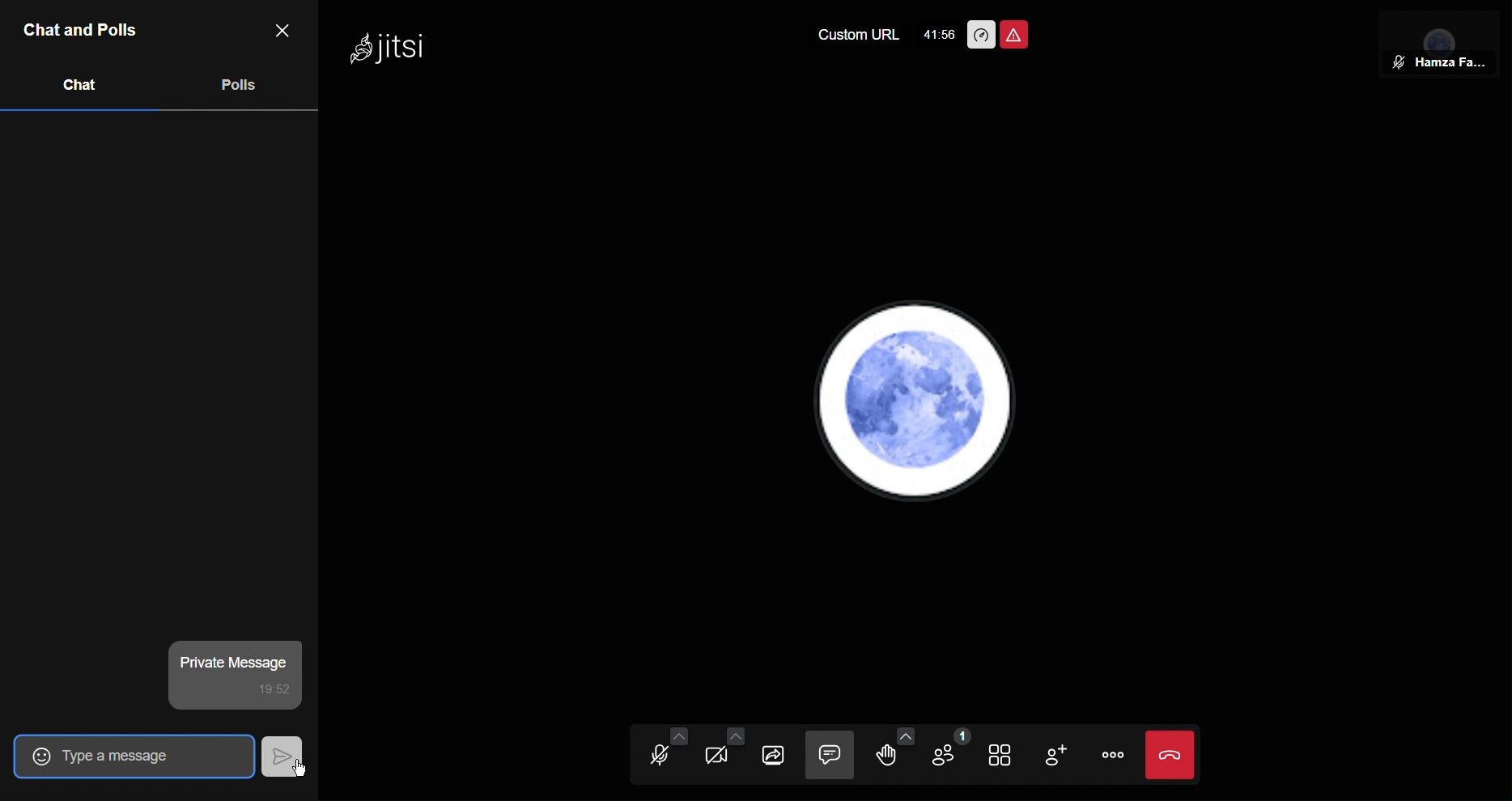  Describe the element at coordinates (234, 83) in the screenshot. I see `Polls` at that location.